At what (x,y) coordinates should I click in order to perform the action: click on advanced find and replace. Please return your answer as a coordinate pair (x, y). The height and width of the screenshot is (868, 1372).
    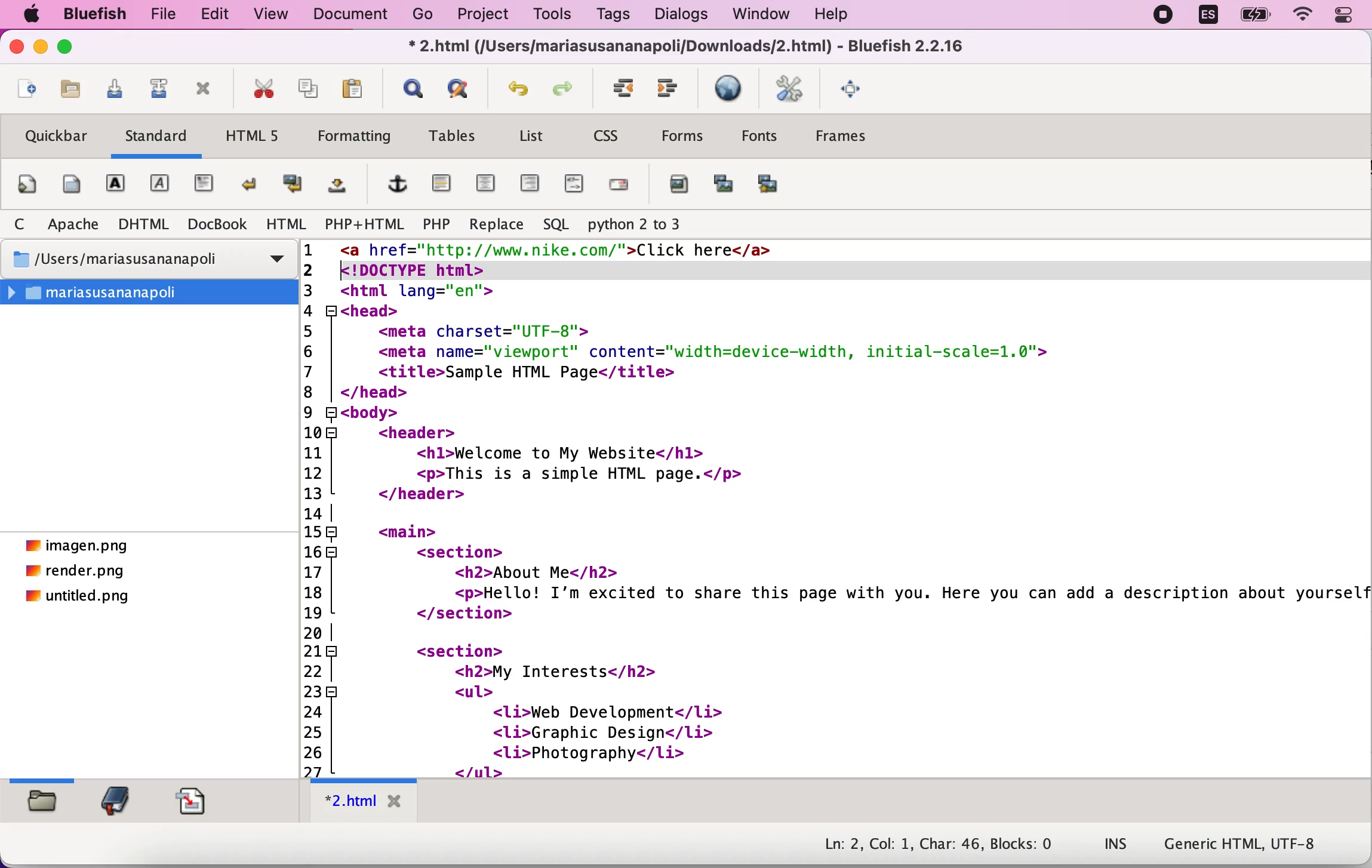
    Looking at the image, I should click on (463, 90).